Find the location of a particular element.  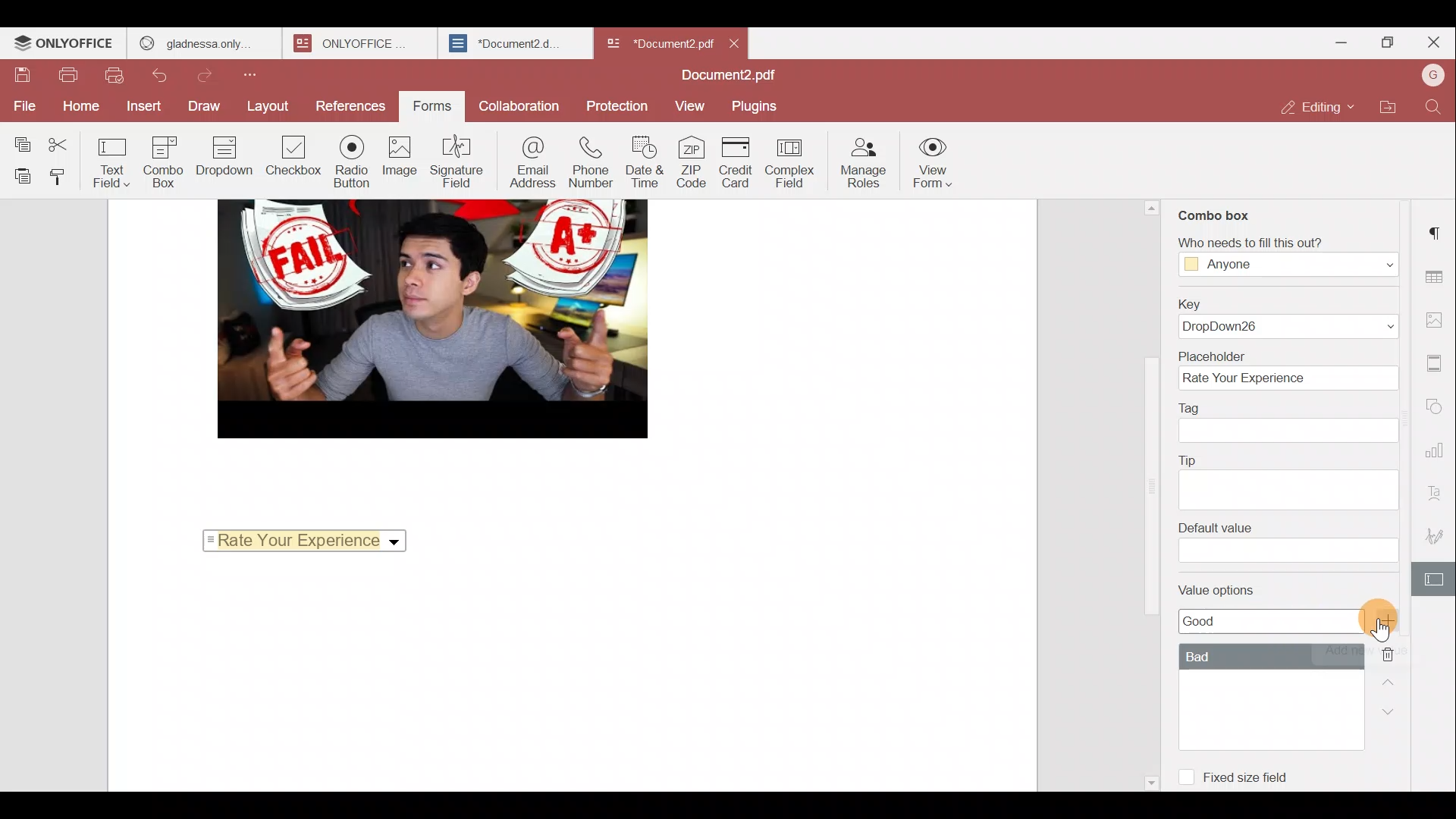

‘Who needs to fill this out? is located at coordinates (1280, 256).